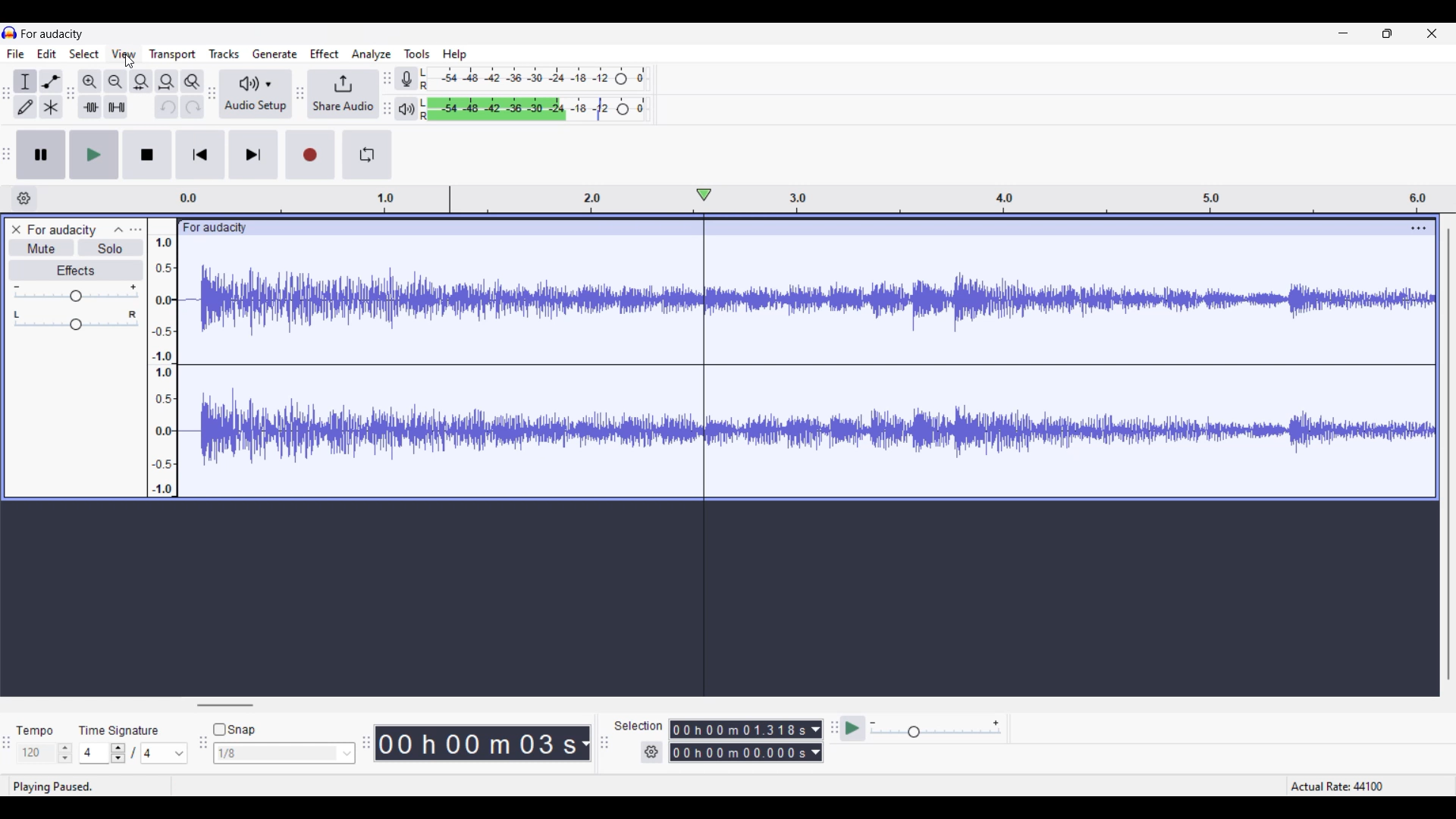 The width and height of the screenshot is (1456, 819). I want to click on View menu, so click(124, 53).